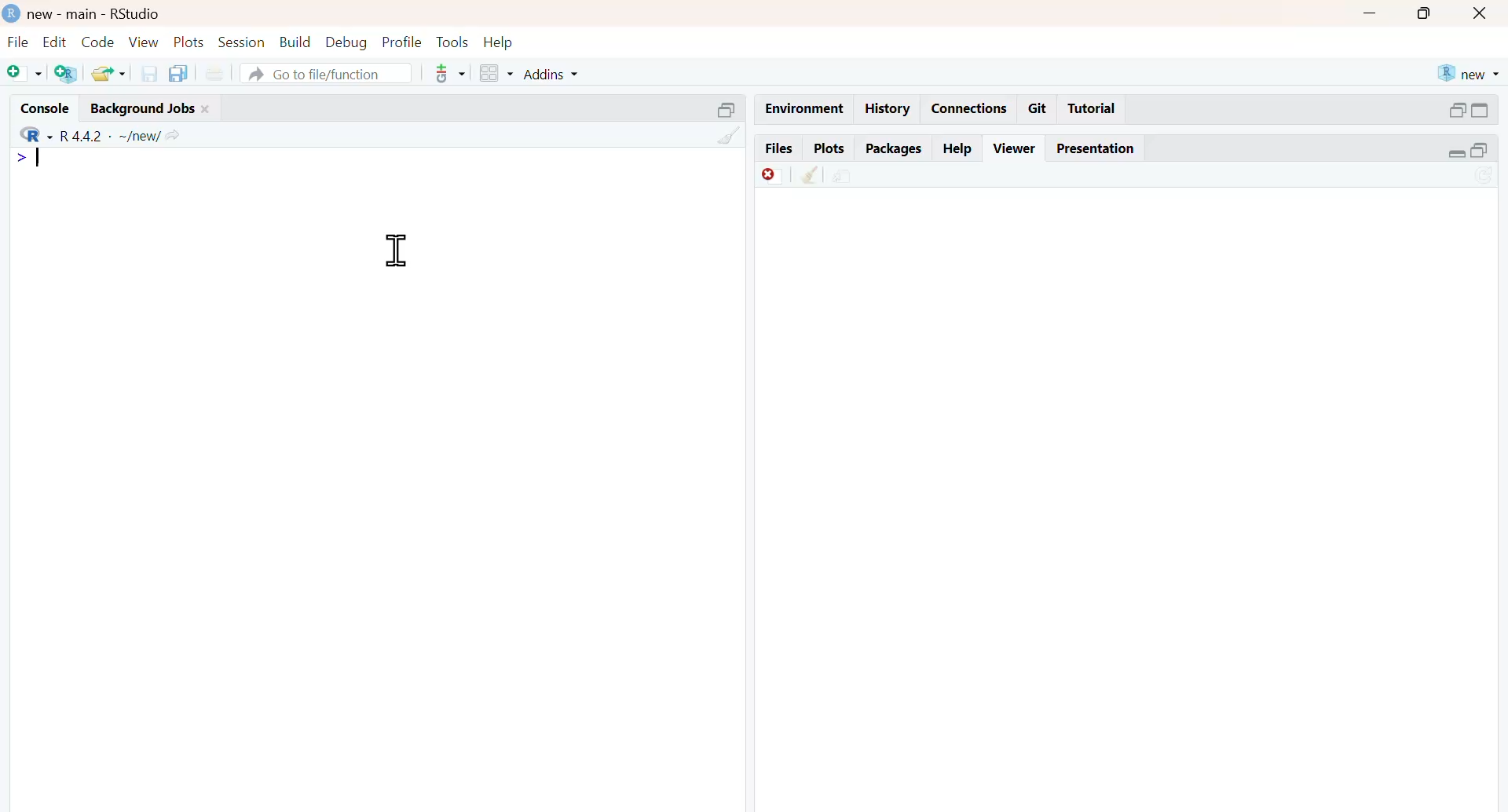 Image resolution: width=1508 pixels, height=812 pixels. What do you see at coordinates (1458, 154) in the screenshot?
I see `Collapse /expand` at bounding box center [1458, 154].